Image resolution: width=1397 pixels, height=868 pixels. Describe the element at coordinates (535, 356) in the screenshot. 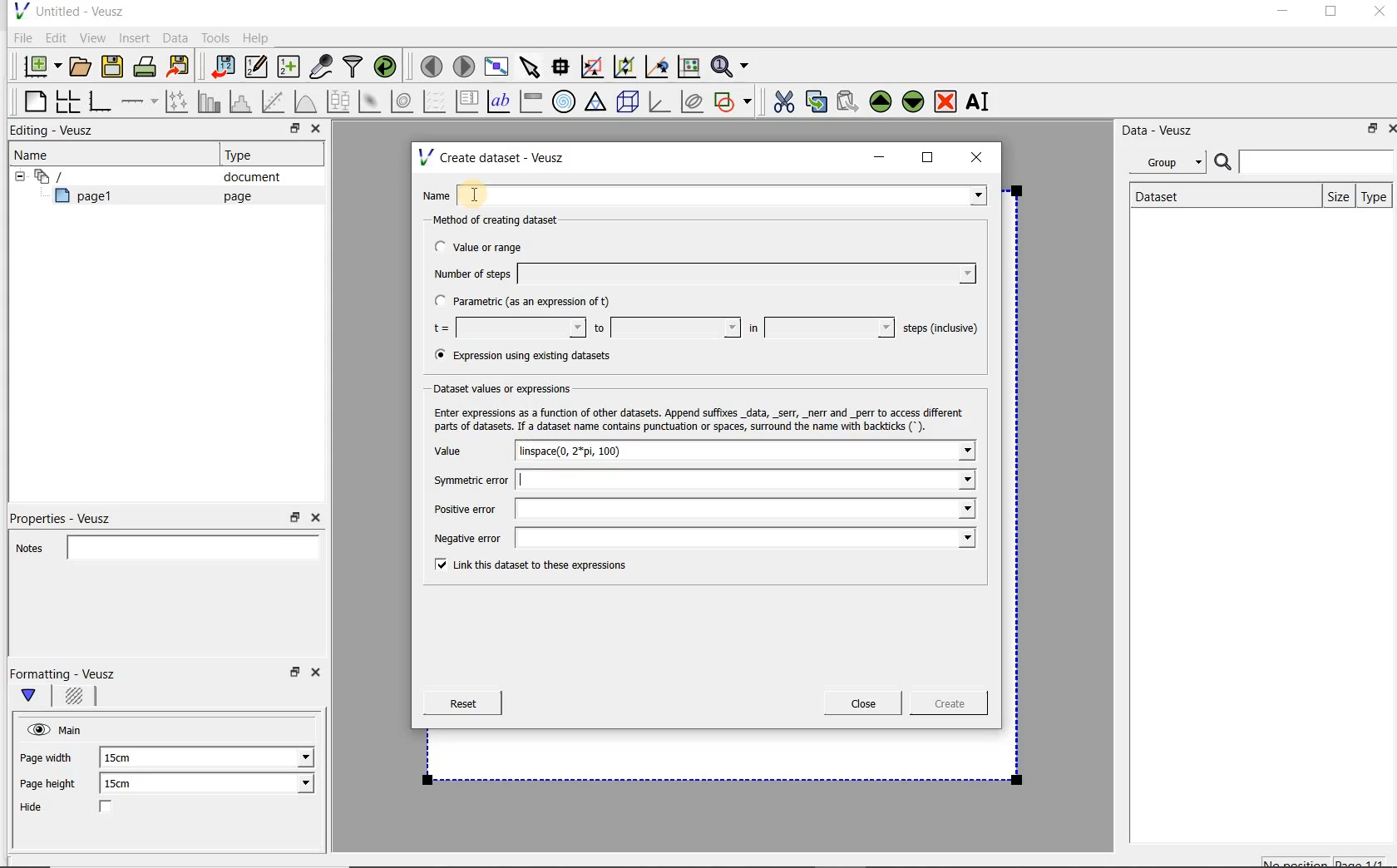

I see `(® Expression using existing datasets` at that location.